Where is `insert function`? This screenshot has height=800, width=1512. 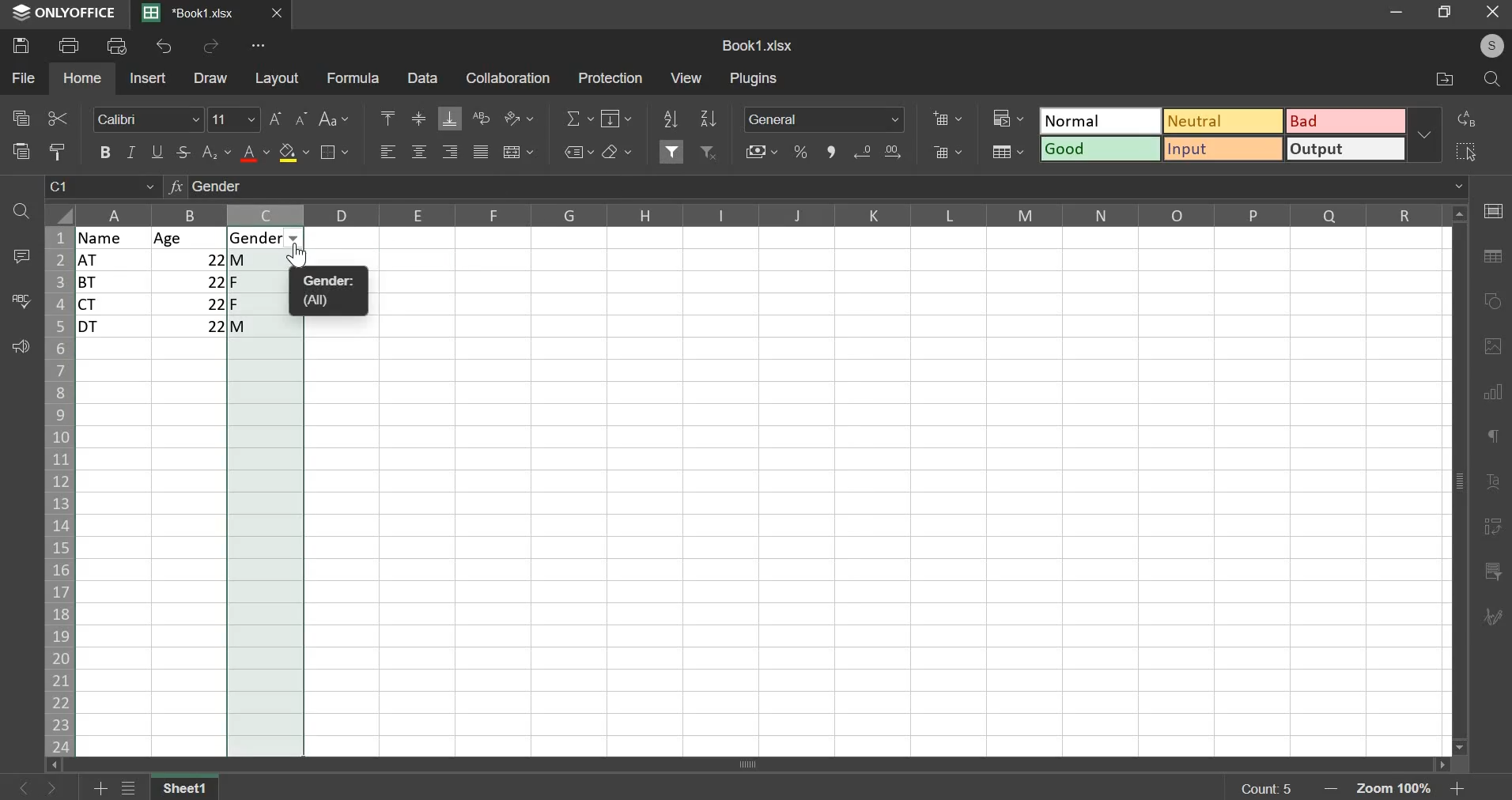
insert function is located at coordinates (816, 189).